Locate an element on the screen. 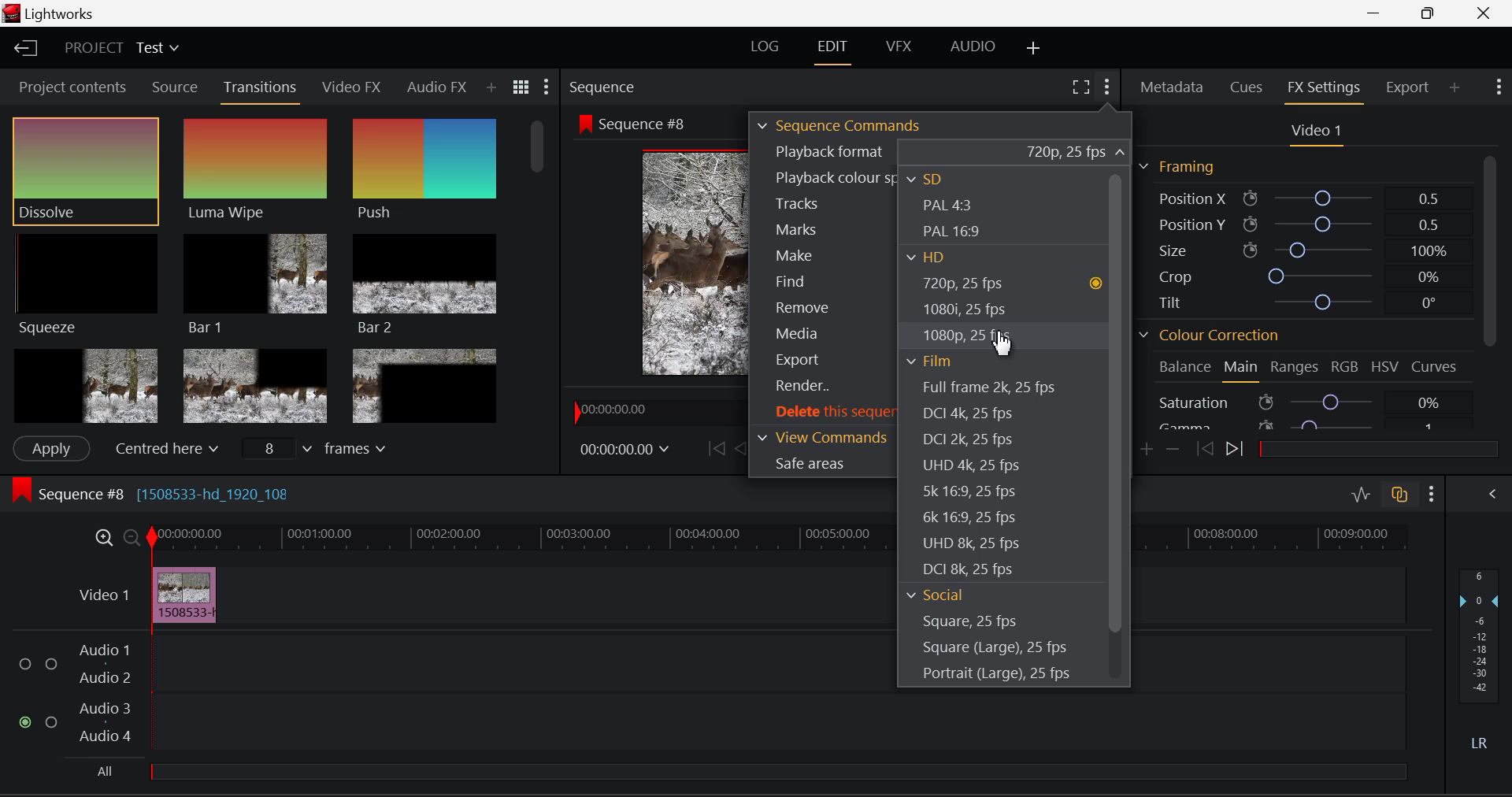  DCI 4k is located at coordinates (981, 414).